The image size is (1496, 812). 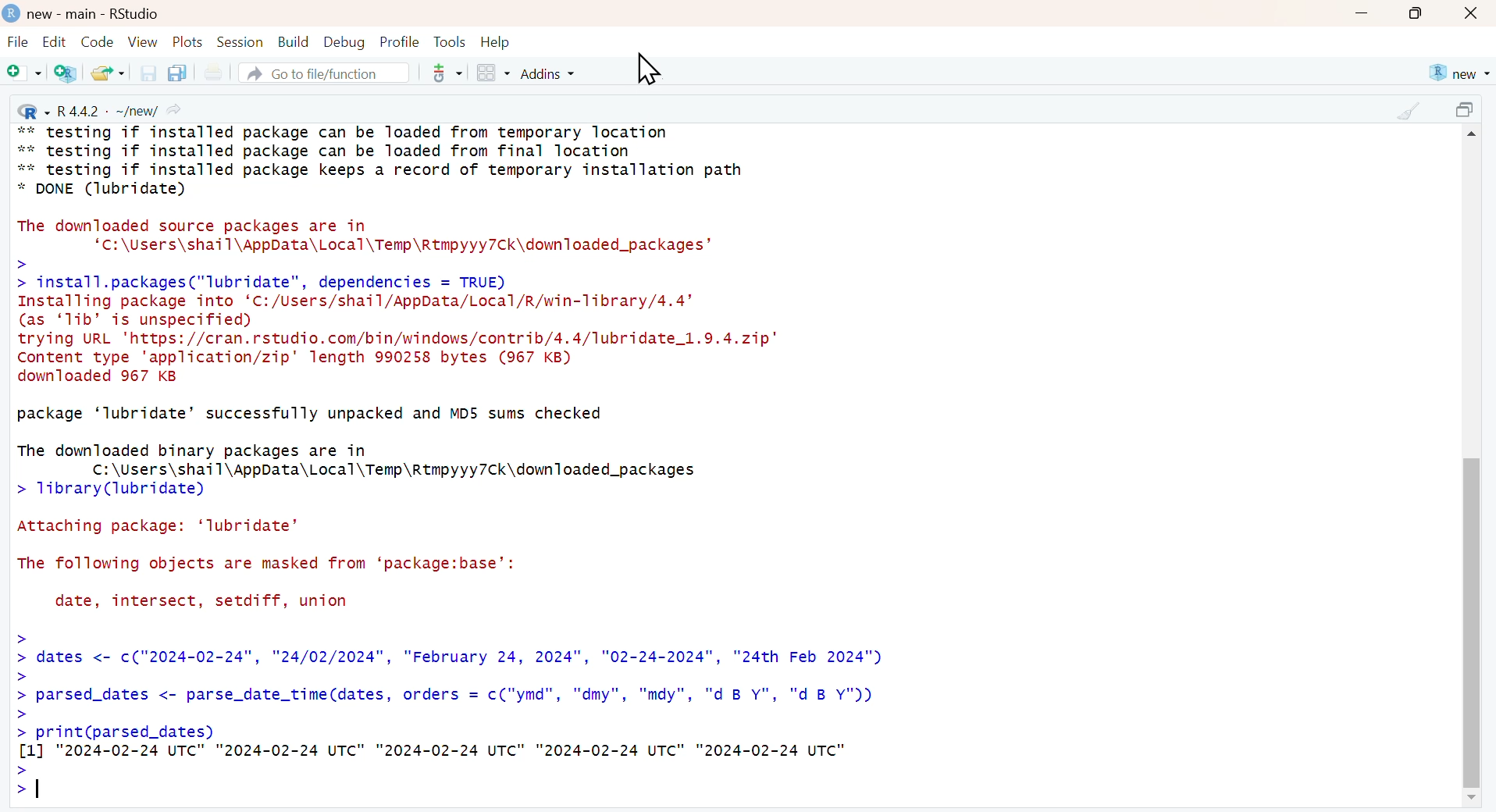 I want to click on View, so click(x=143, y=41).